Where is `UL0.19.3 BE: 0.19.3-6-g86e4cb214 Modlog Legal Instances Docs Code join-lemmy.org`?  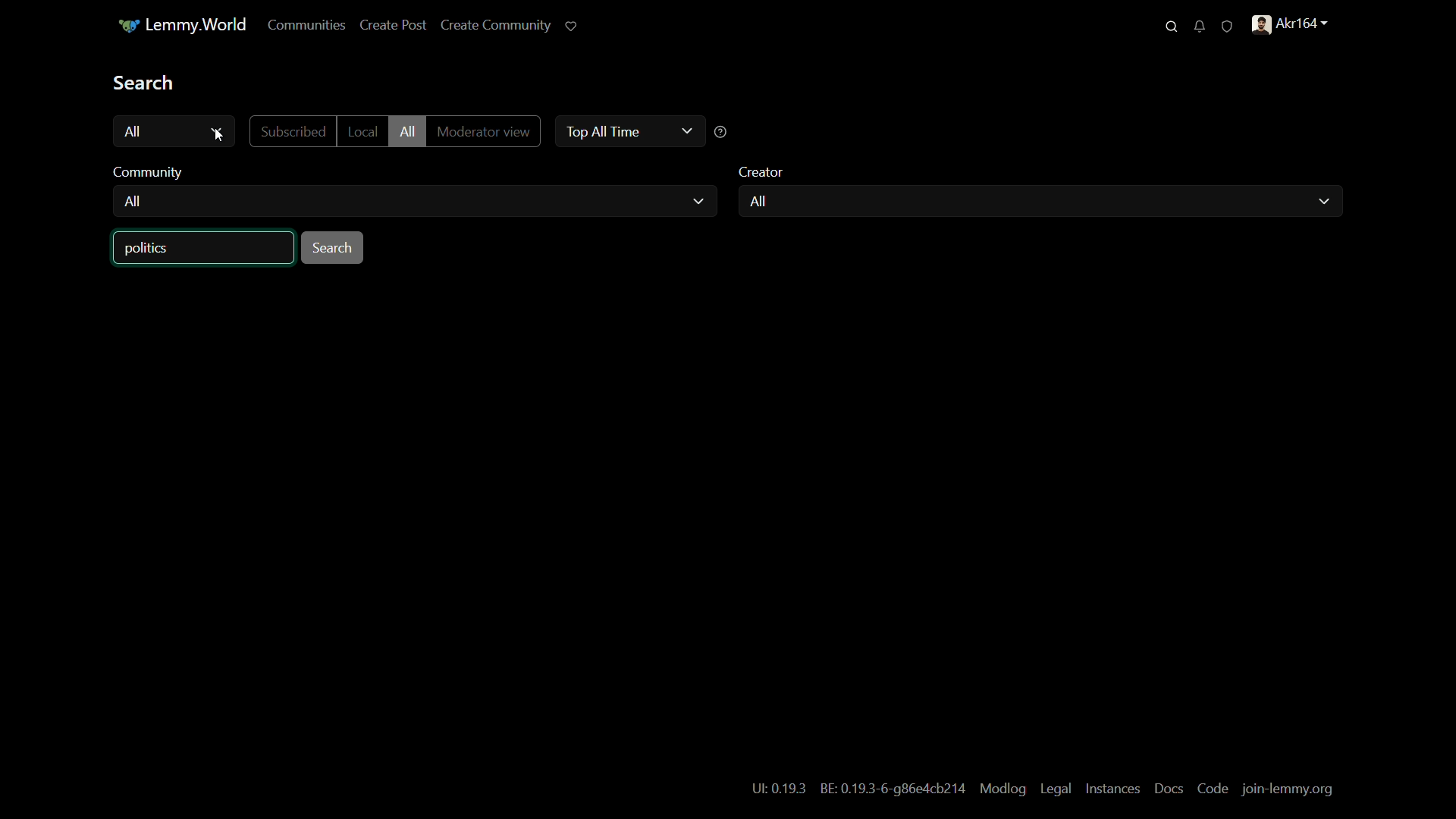
UL0.19.3 BE: 0.19.3-6-g86e4cb214 Modlog Legal Instances Docs Code join-lemmy.org is located at coordinates (1043, 788).